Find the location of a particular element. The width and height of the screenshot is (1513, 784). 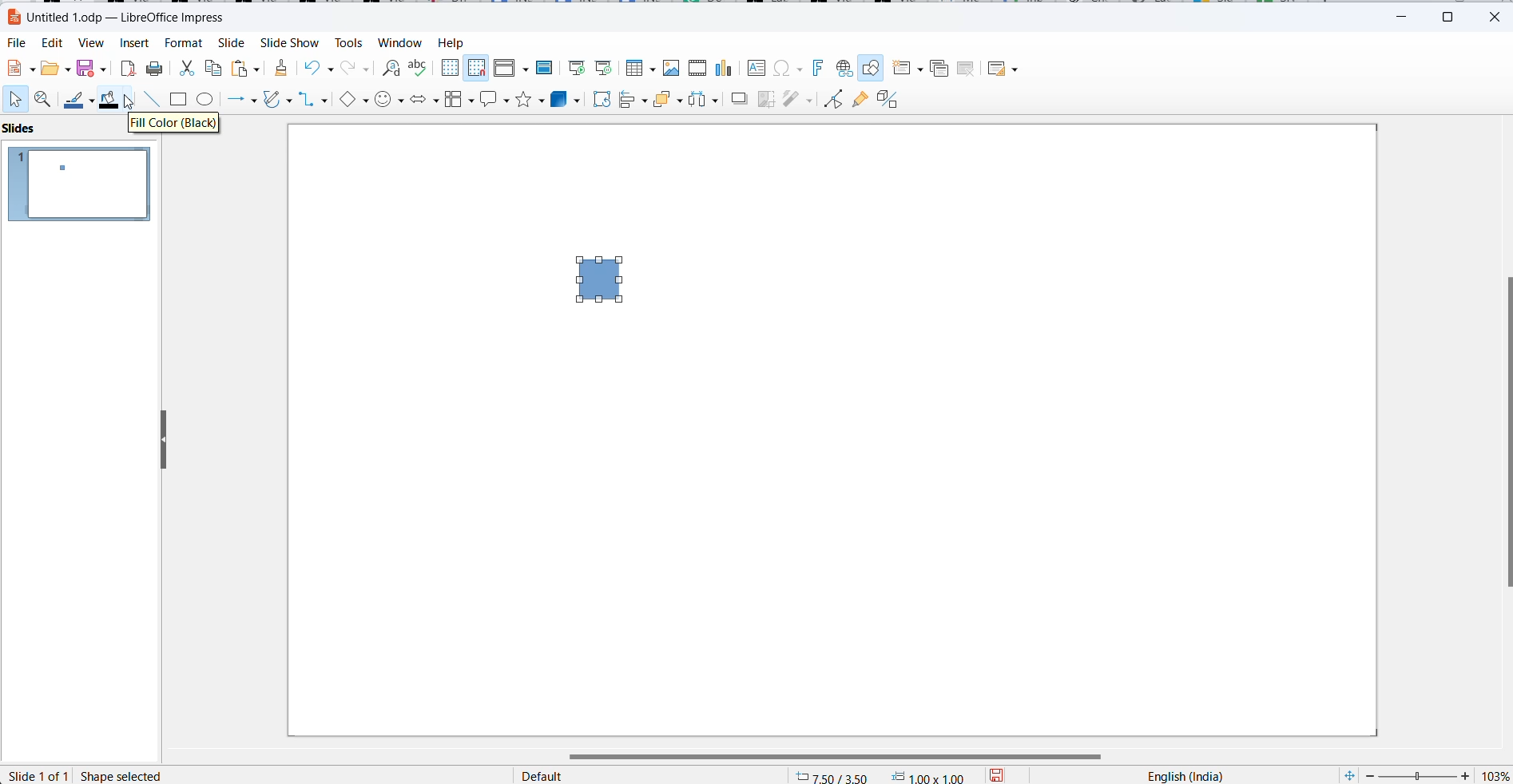

symbol is located at coordinates (390, 101).